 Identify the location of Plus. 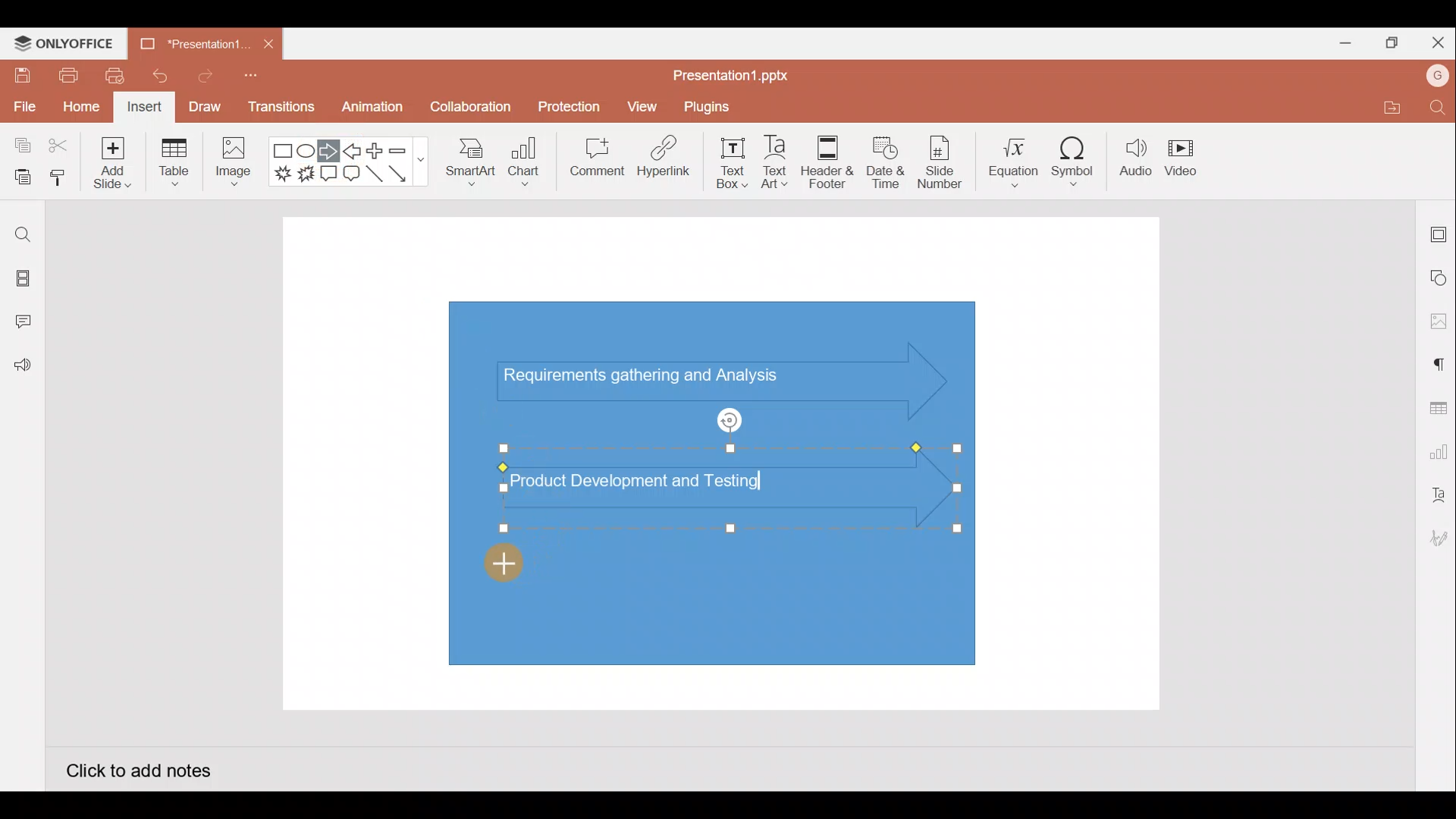
(378, 151).